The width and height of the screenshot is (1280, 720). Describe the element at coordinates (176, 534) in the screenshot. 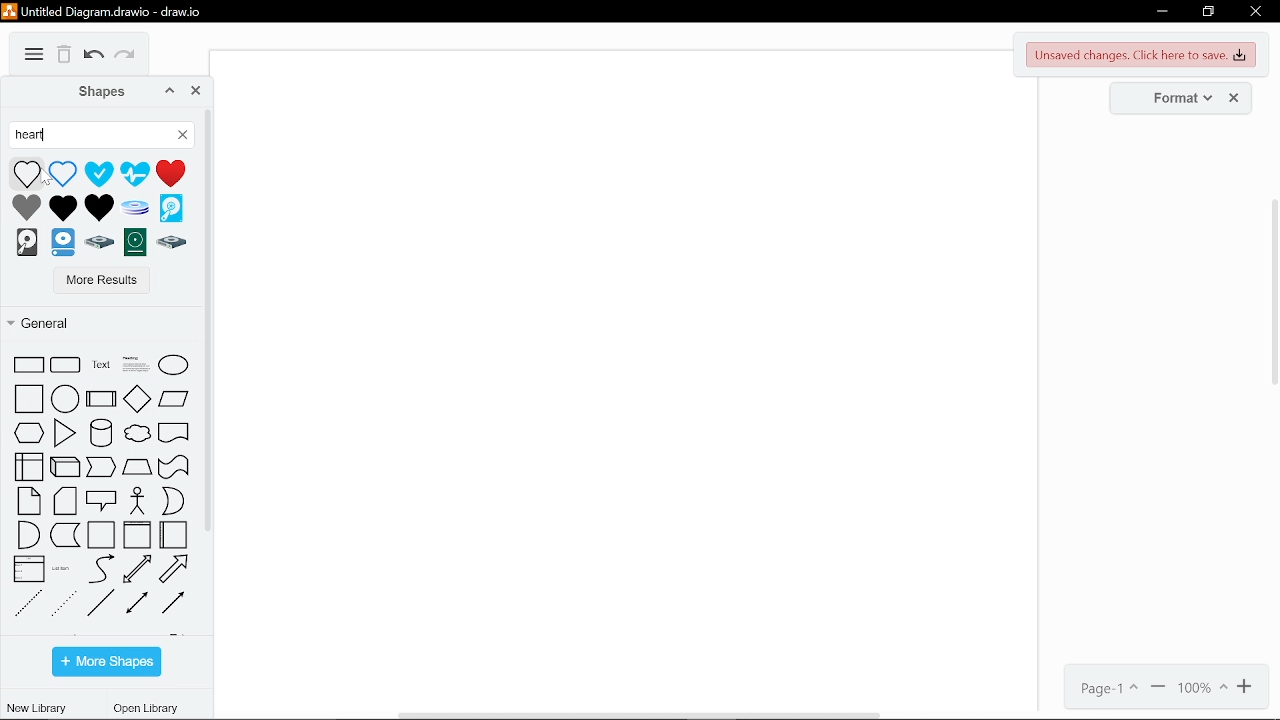

I see `horizontal container` at that location.